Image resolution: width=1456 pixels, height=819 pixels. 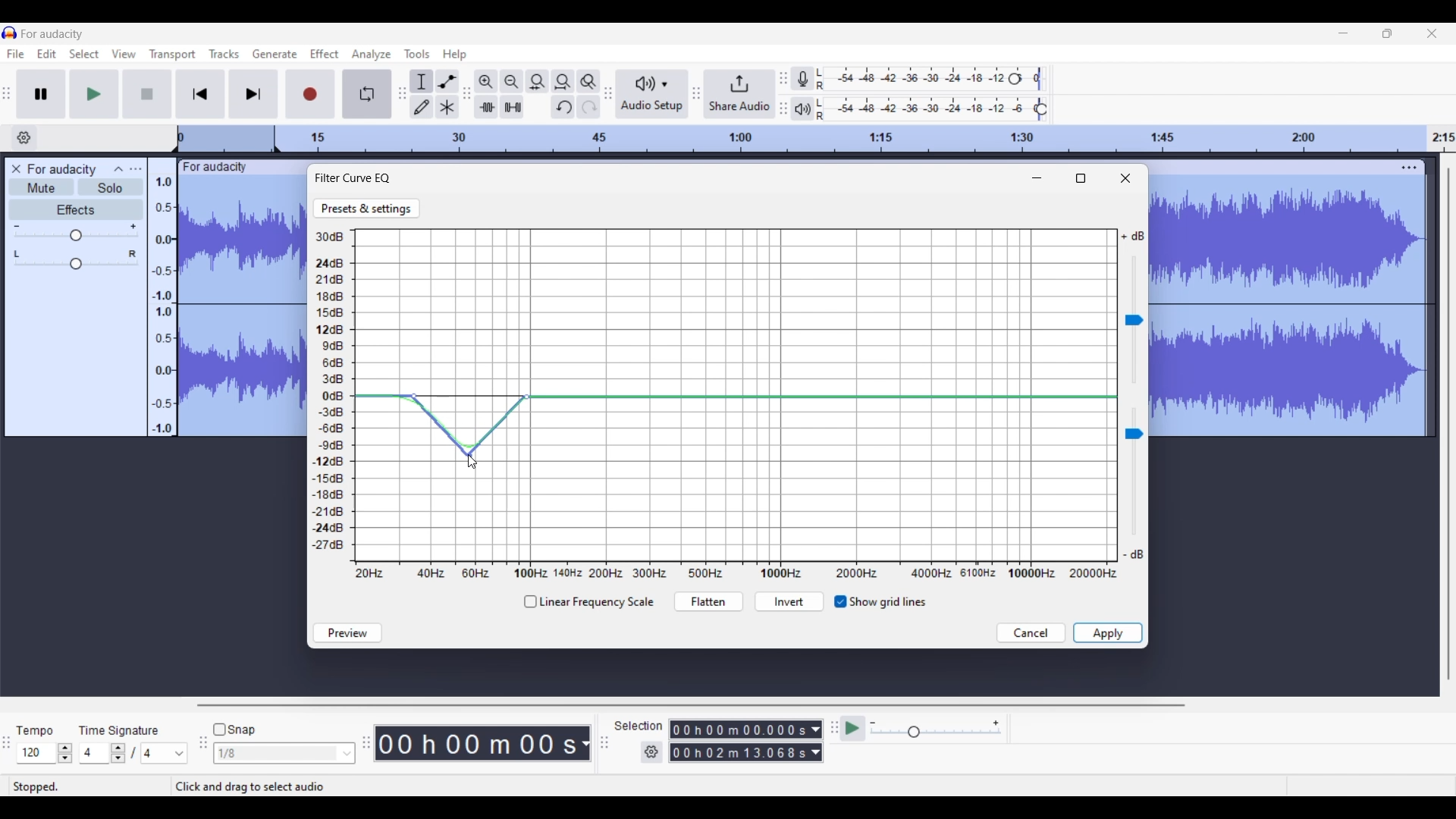 I want to click on Track settings, so click(x=1409, y=168).